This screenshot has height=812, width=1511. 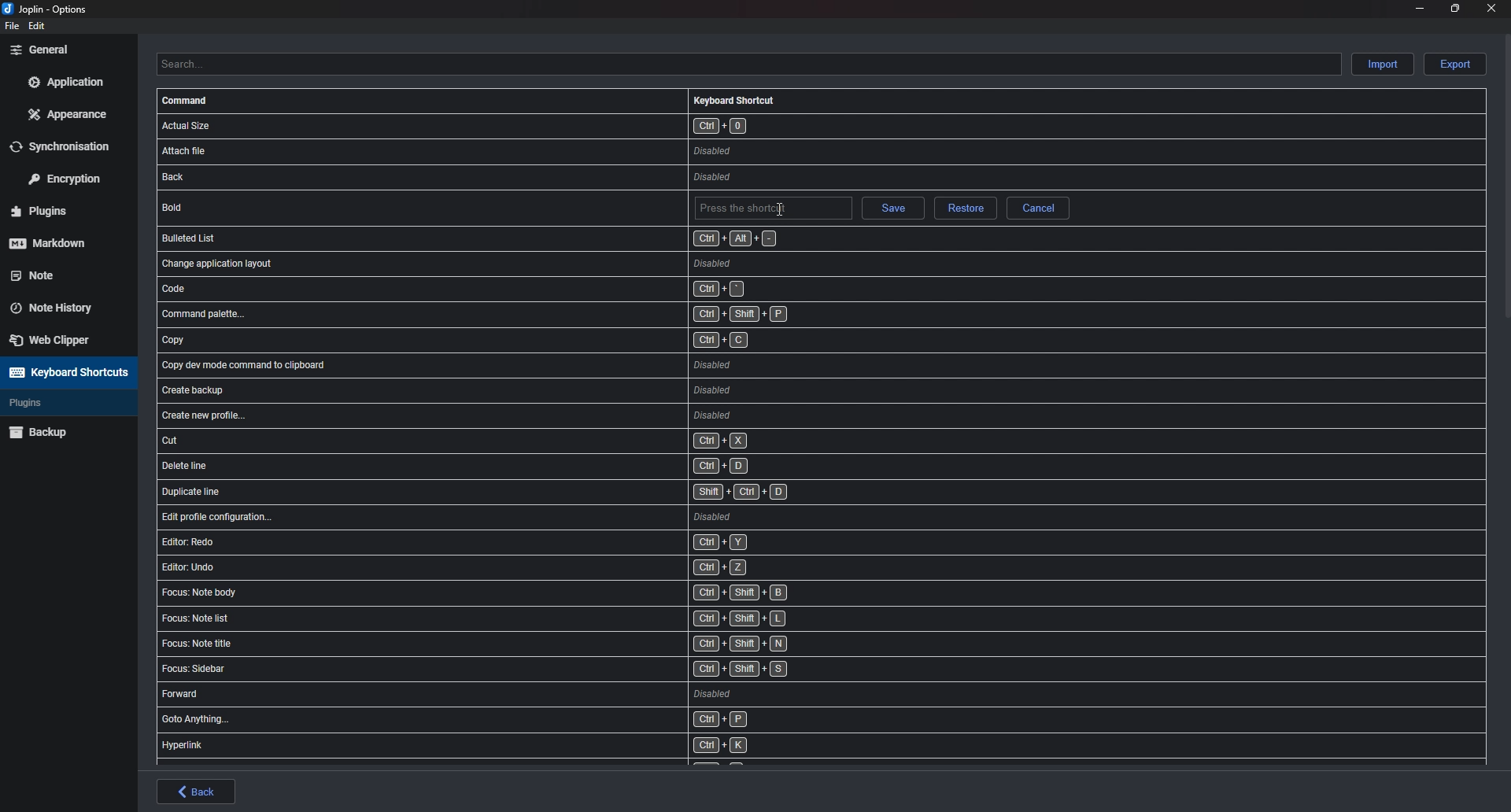 I want to click on shortcut, so click(x=529, y=178).